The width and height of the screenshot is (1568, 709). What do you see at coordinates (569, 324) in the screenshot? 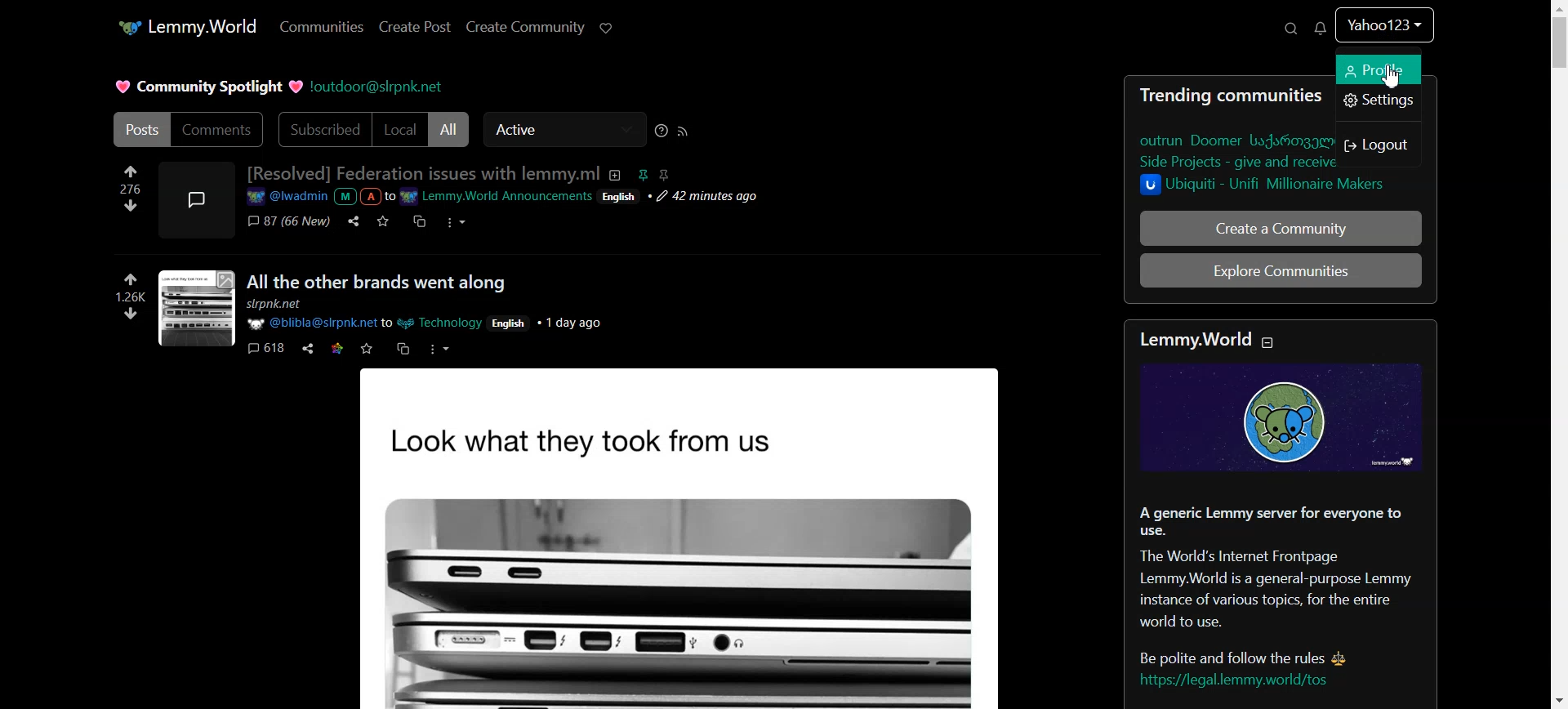
I see `1 day ago` at bounding box center [569, 324].